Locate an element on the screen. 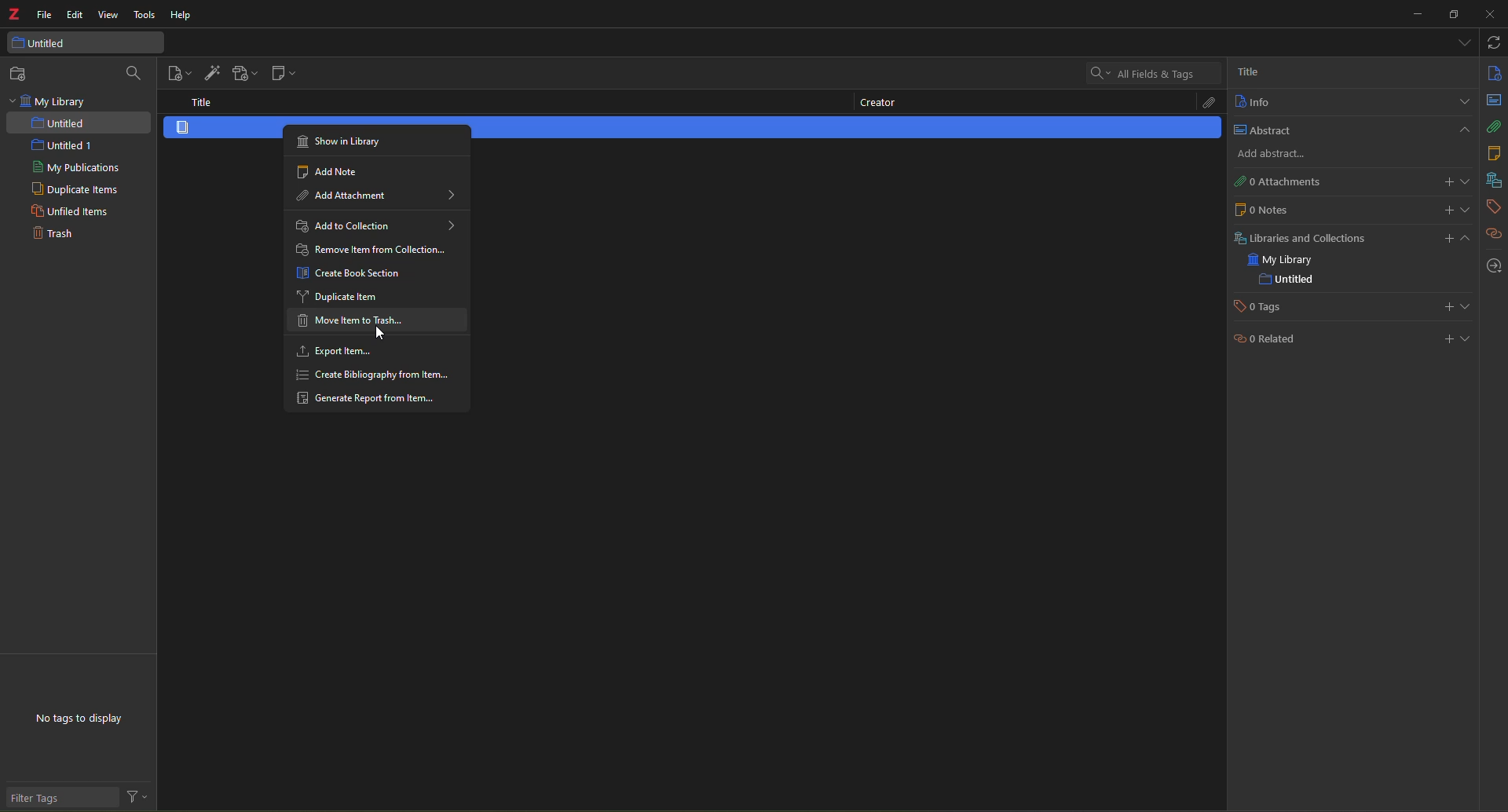 The height and width of the screenshot is (812, 1508). maximize is located at coordinates (1454, 15).